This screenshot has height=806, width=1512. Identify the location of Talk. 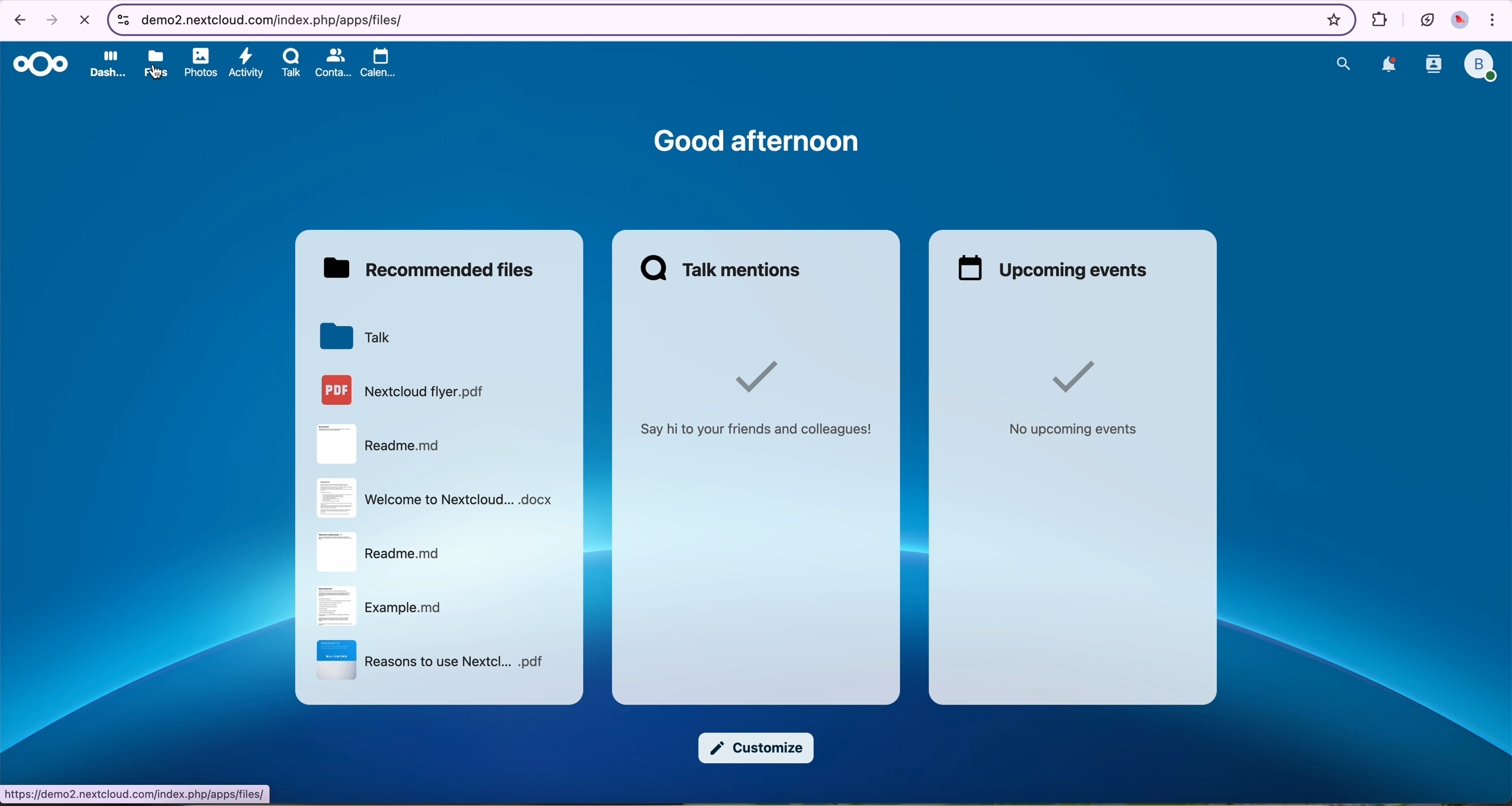
(292, 63).